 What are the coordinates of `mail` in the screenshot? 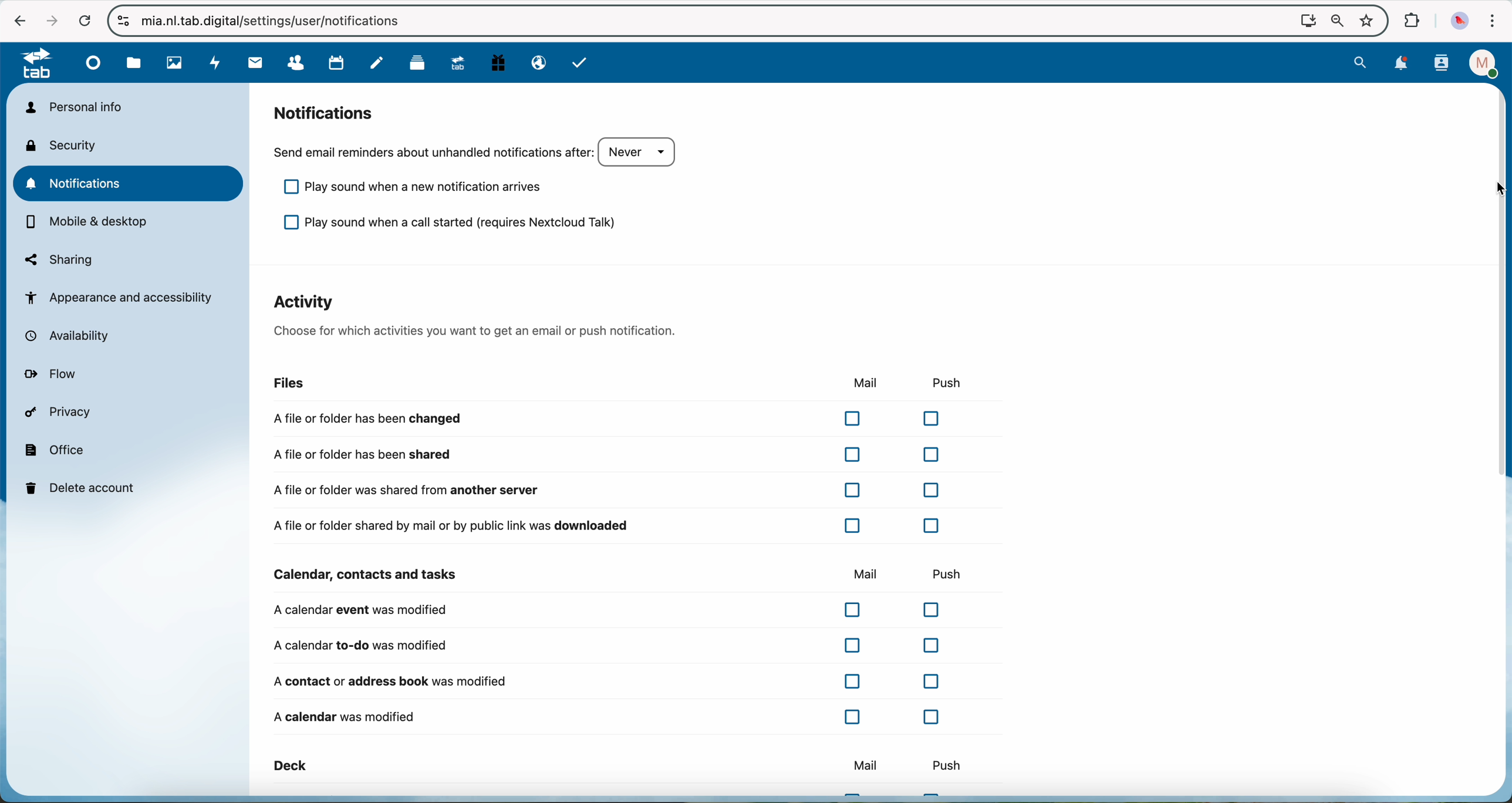 It's located at (866, 765).